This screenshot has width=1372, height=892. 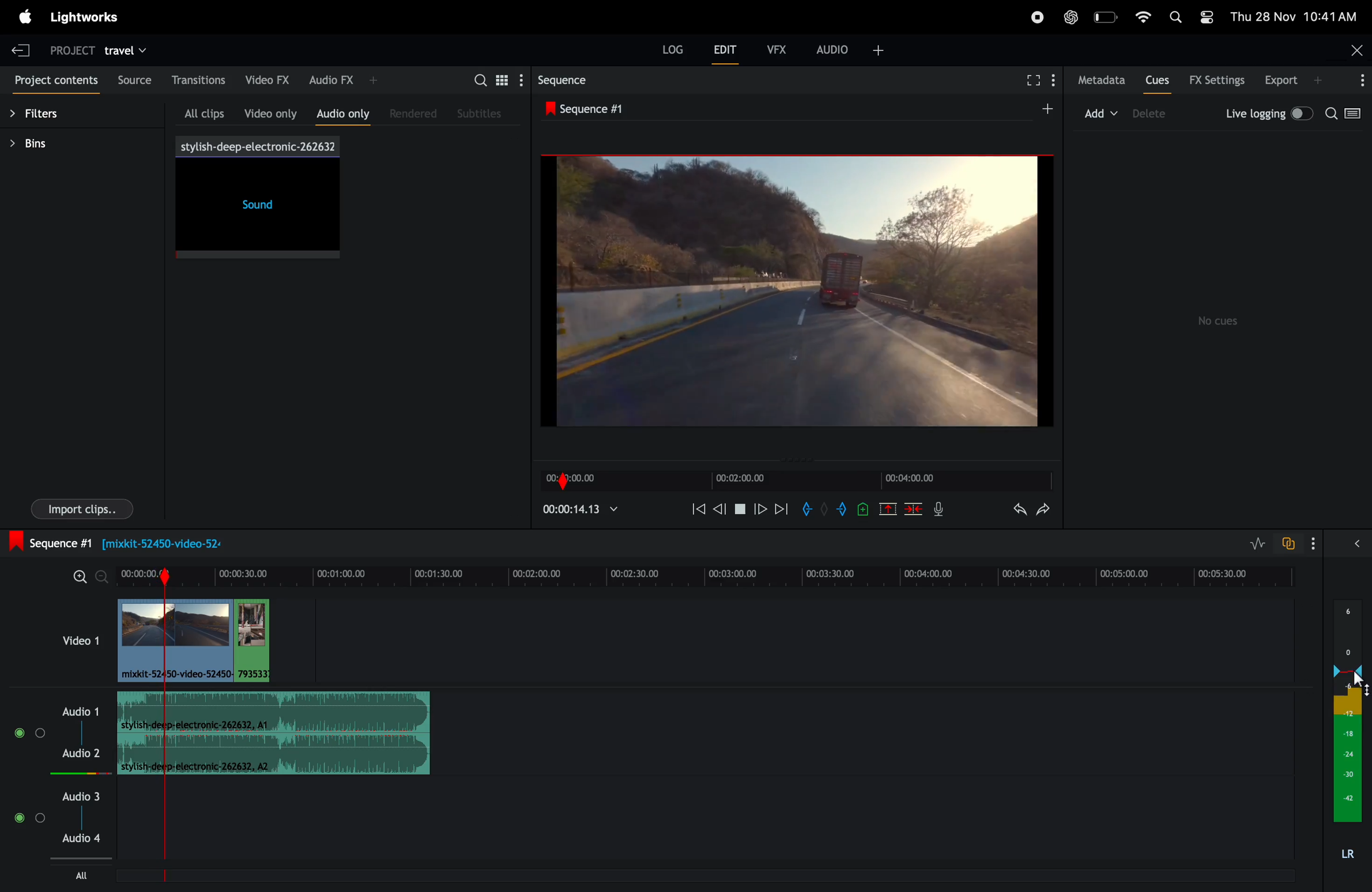 I want to click on meta data, so click(x=1099, y=80).